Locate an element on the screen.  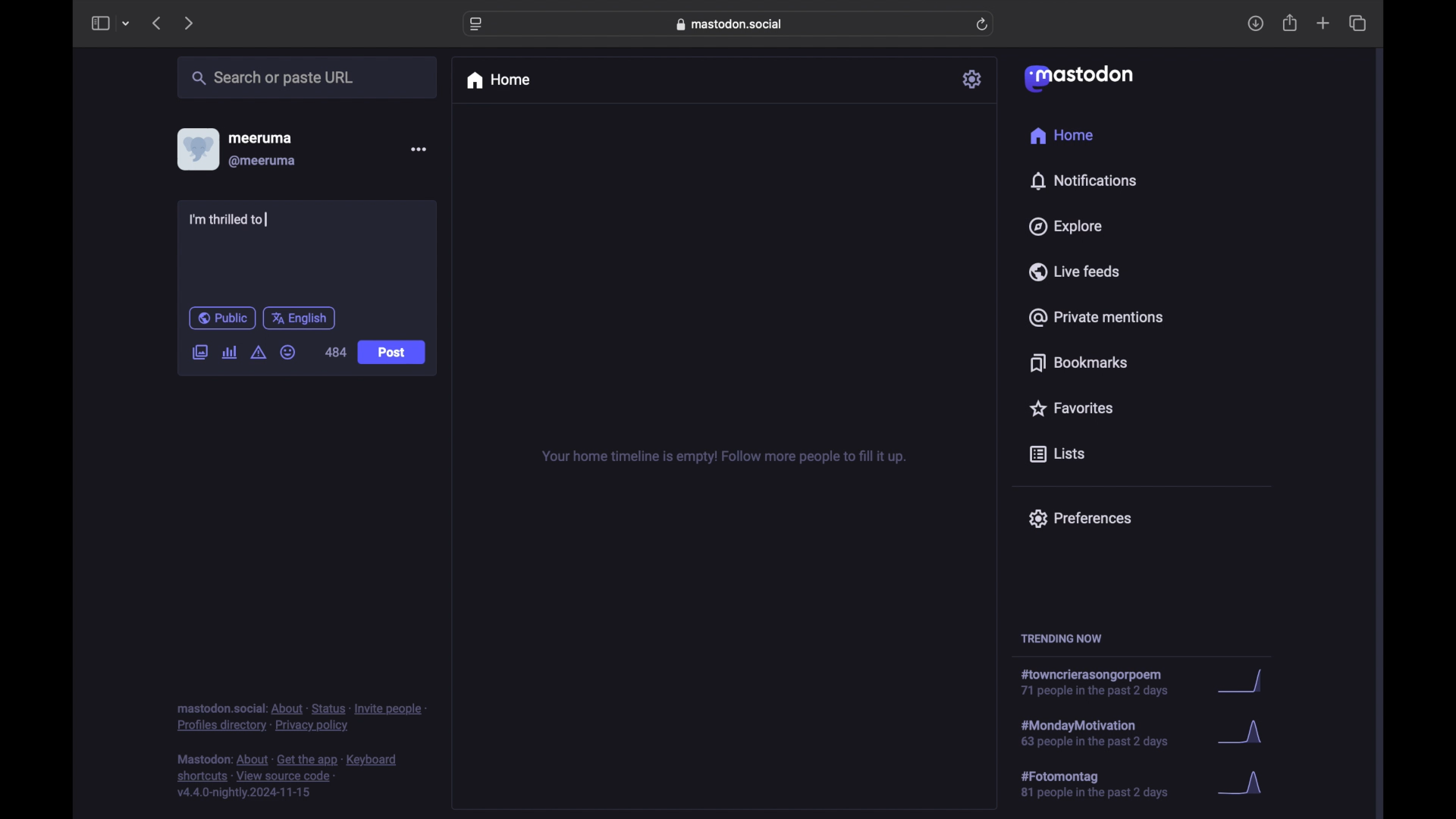
trending now is located at coordinates (1061, 639).